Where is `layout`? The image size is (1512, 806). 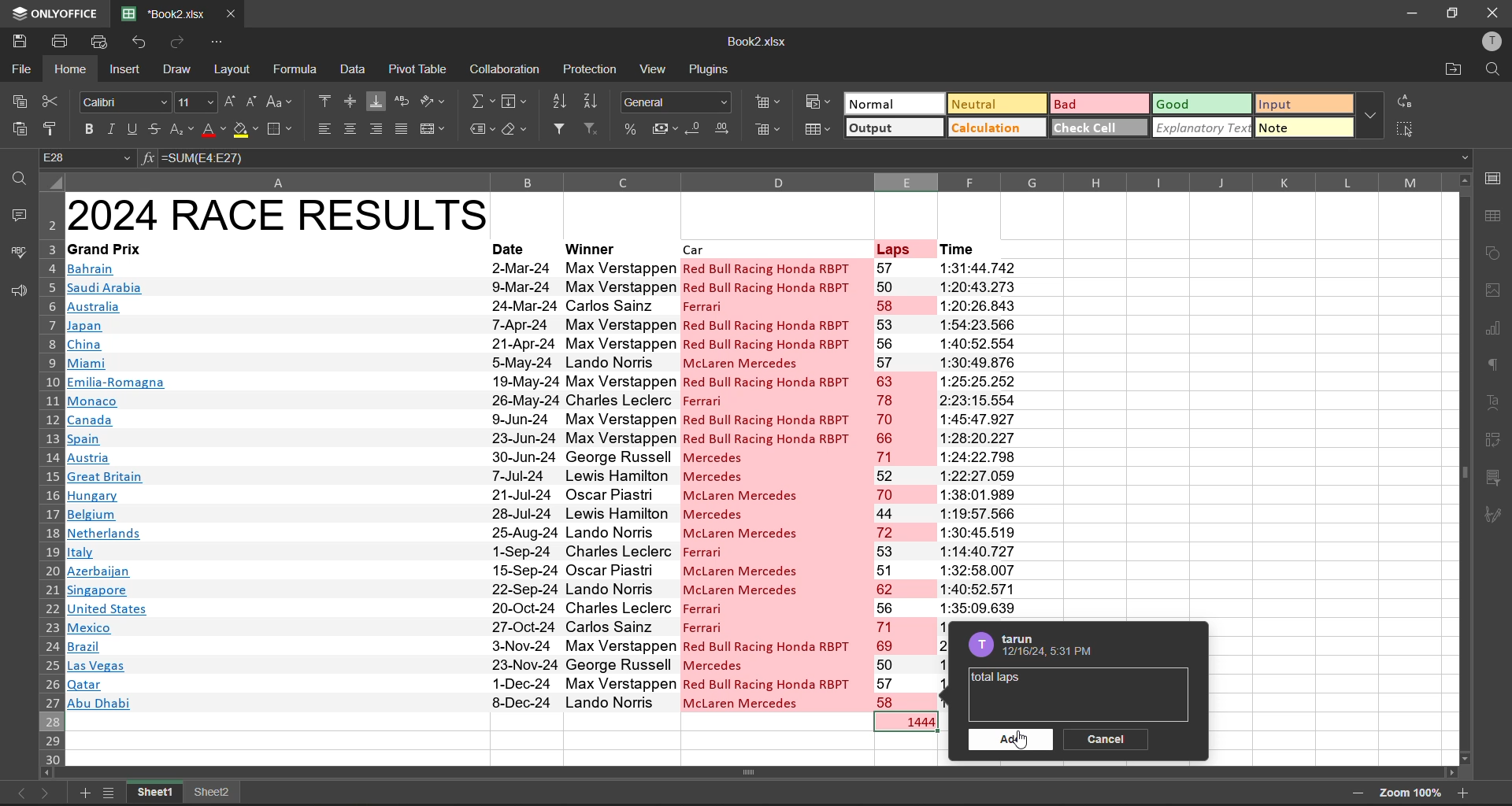
layout is located at coordinates (235, 71).